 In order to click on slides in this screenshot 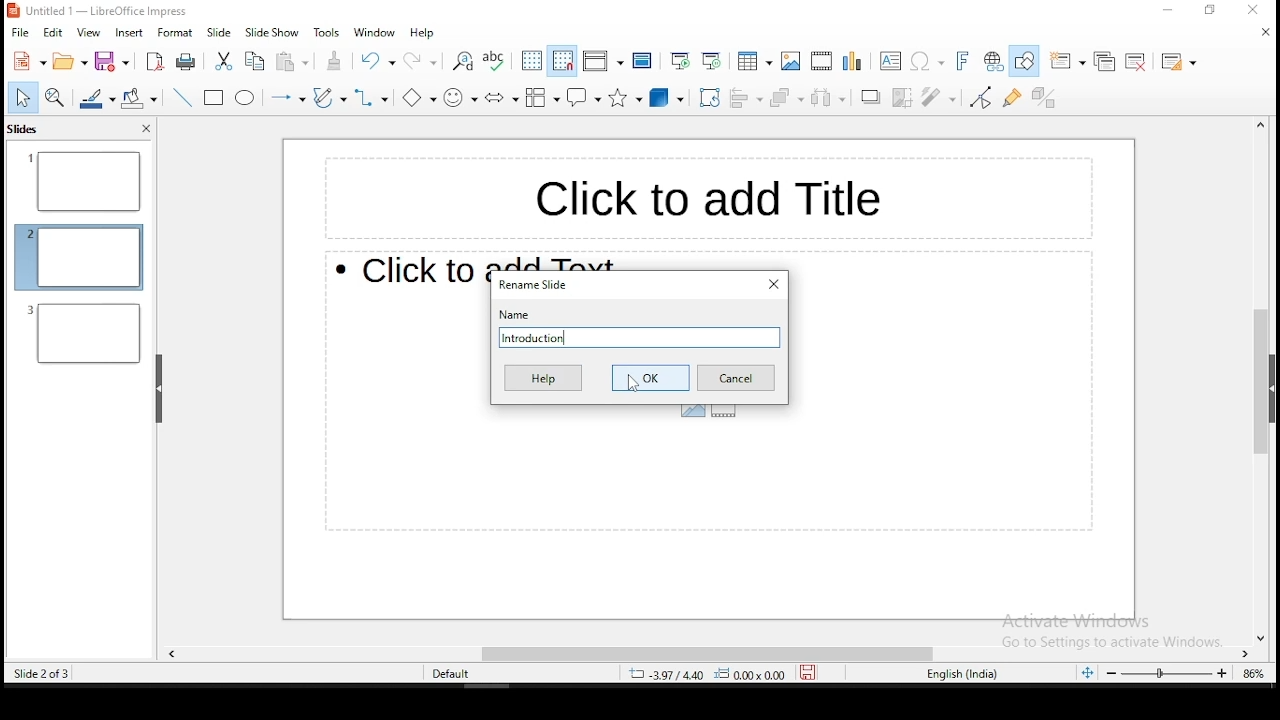, I will do `click(24, 131)`.